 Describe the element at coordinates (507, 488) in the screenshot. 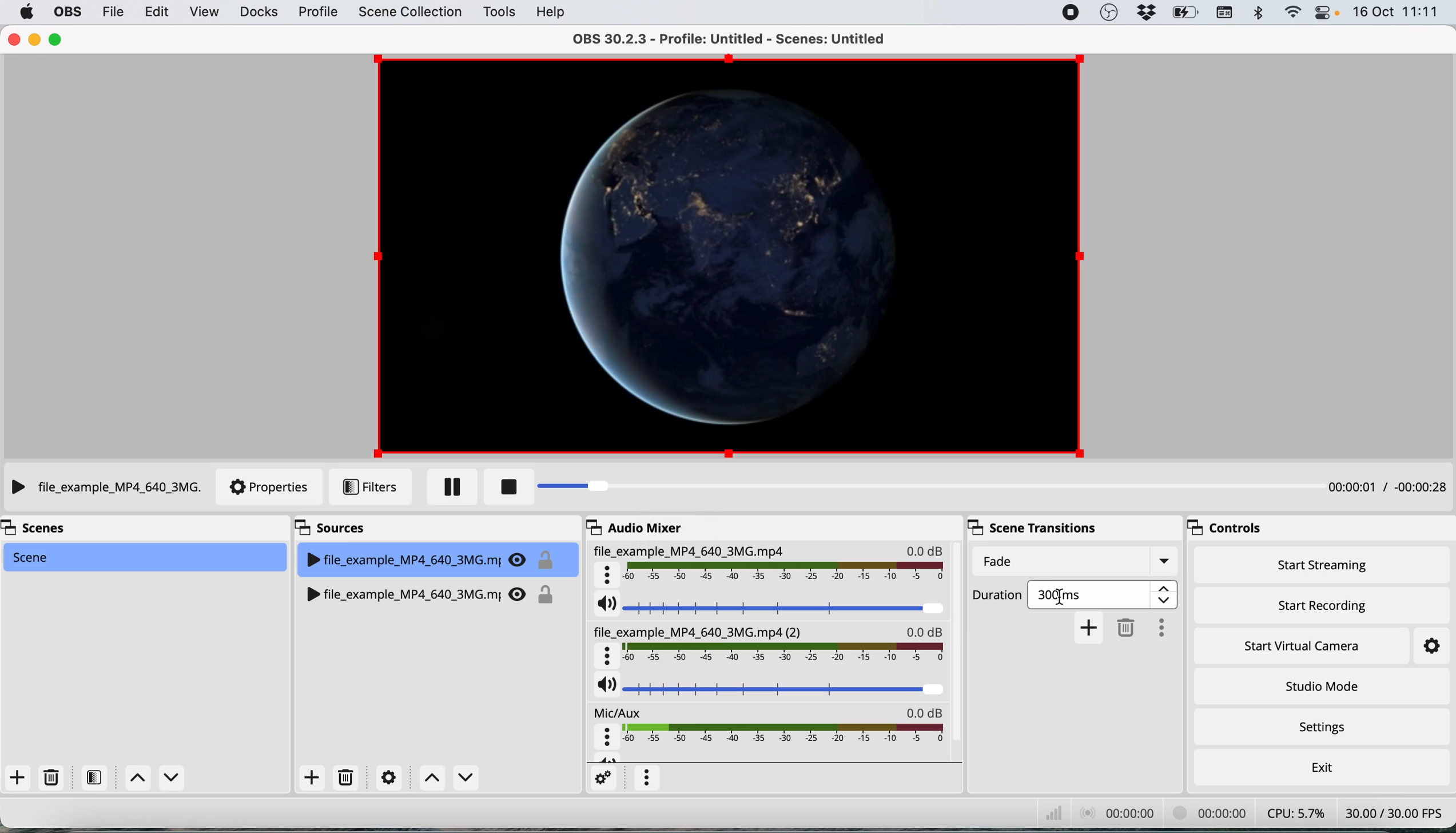

I see `stop` at that location.